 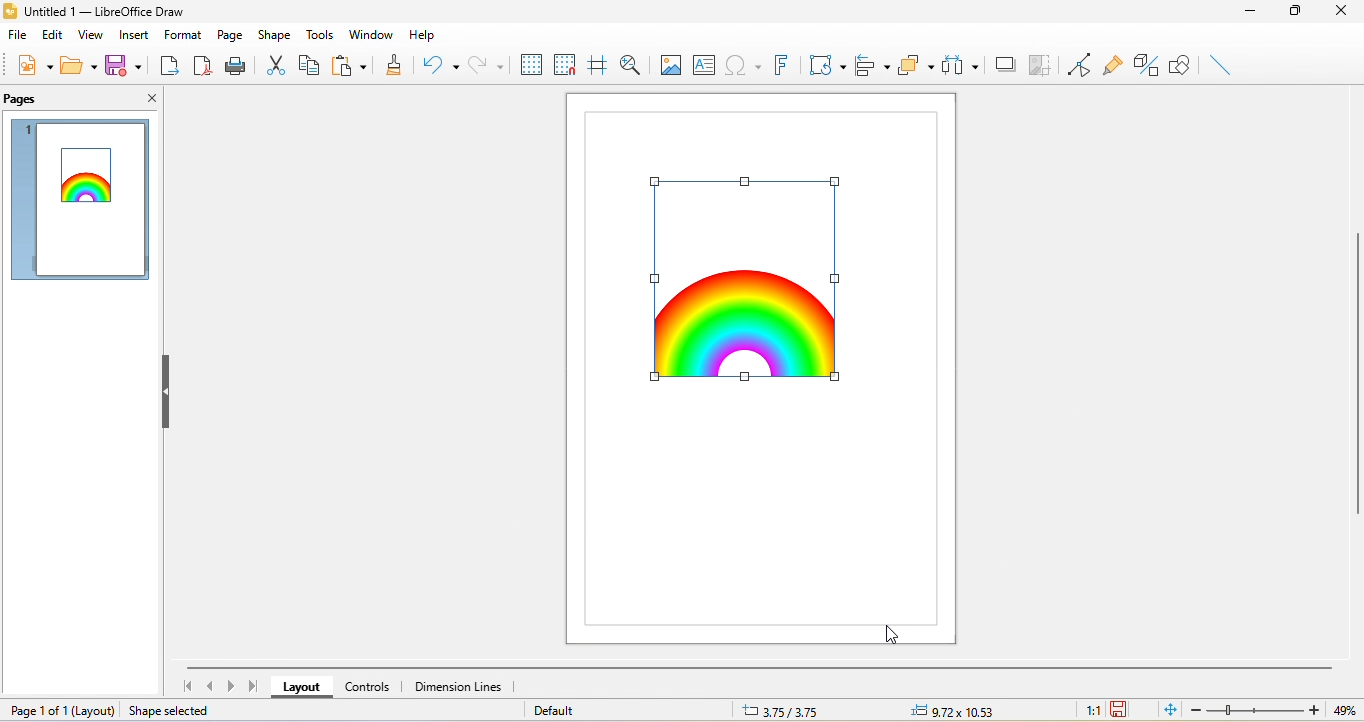 I want to click on insert line, so click(x=1216, y=63).